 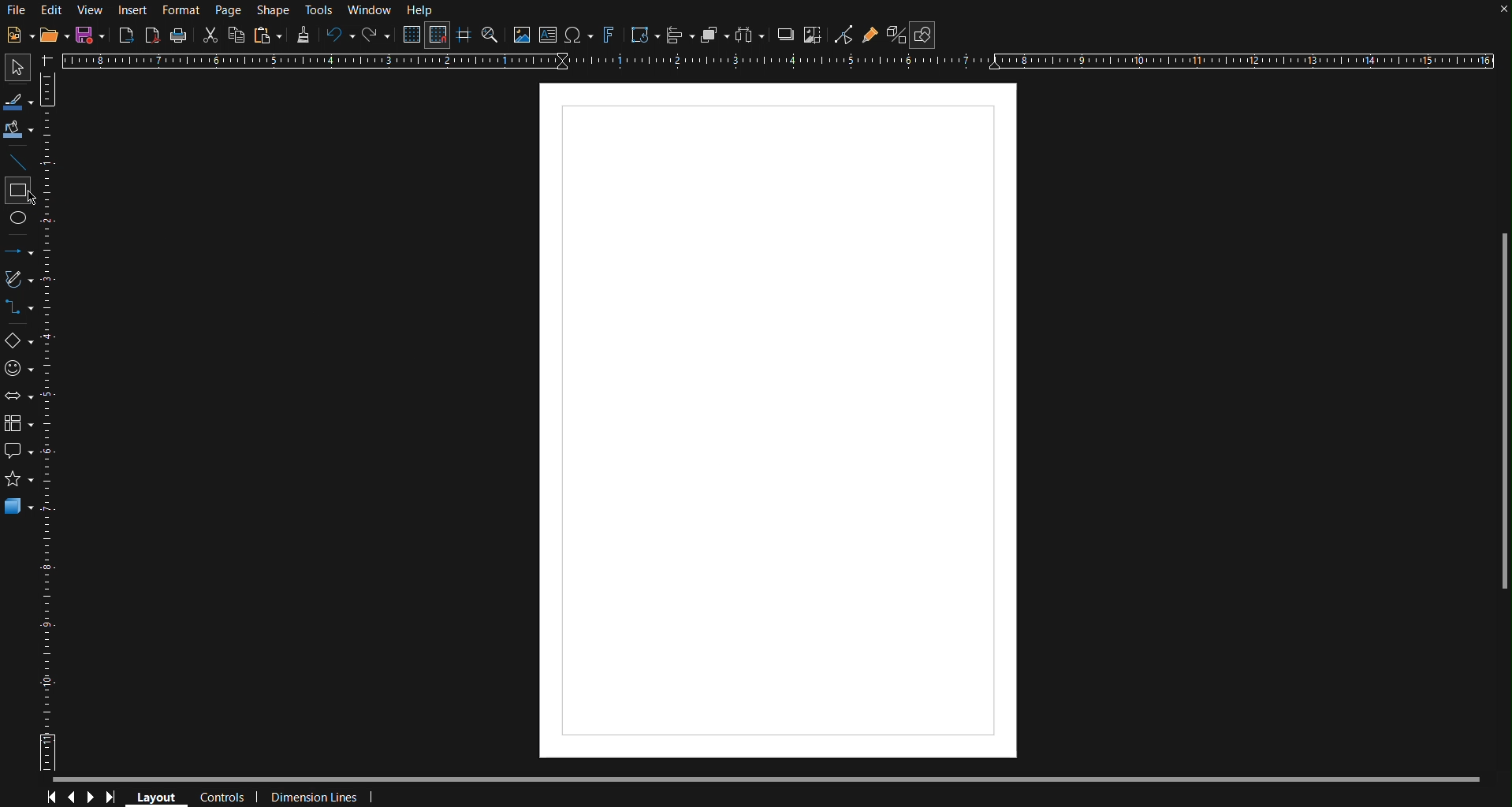 What do you see at coordinates (370, 10) in the screenshot?
I see `Window` at bounding box center [370, 10].